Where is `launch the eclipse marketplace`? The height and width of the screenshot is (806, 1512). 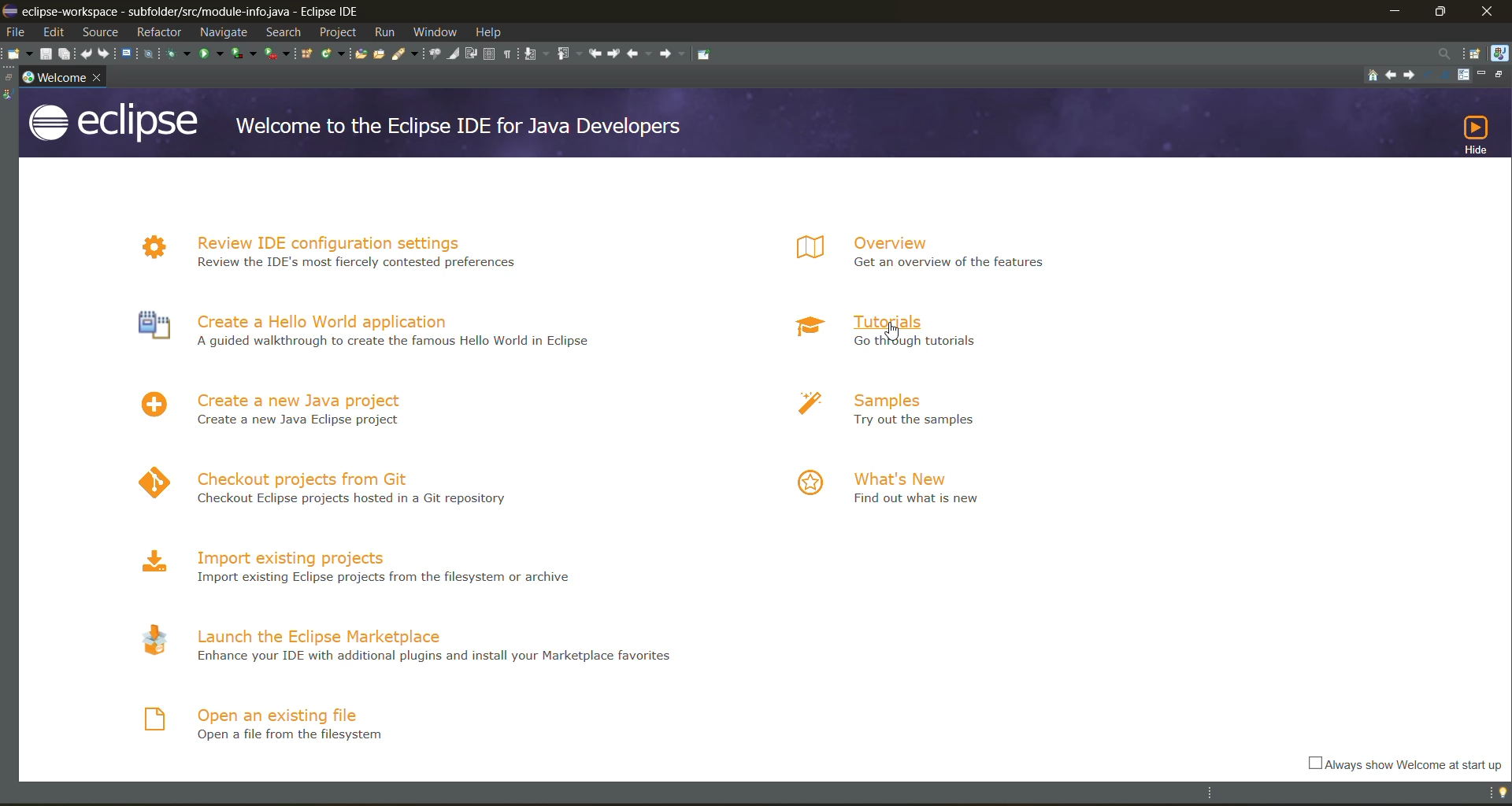 launch the eclipse marketplace is located at coordinates (418, 648).